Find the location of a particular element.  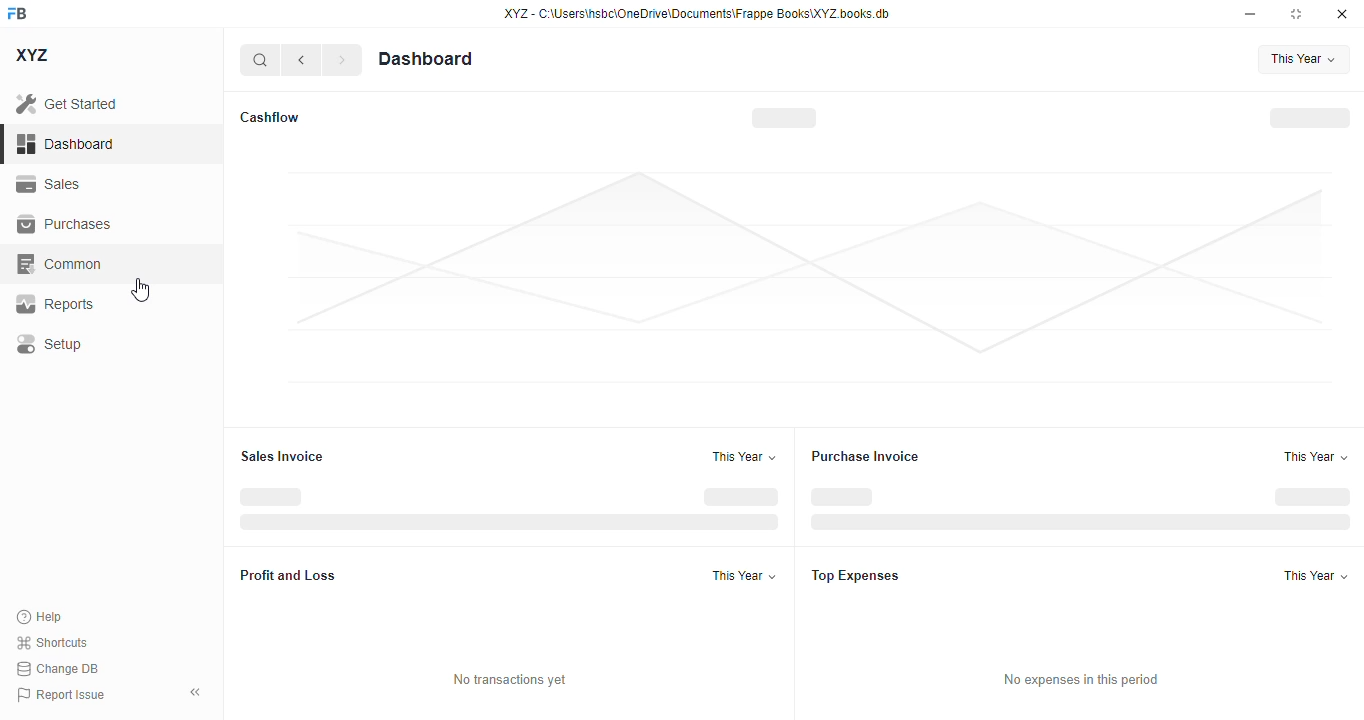

toggle sidebar is located at coordinates (197, 692).